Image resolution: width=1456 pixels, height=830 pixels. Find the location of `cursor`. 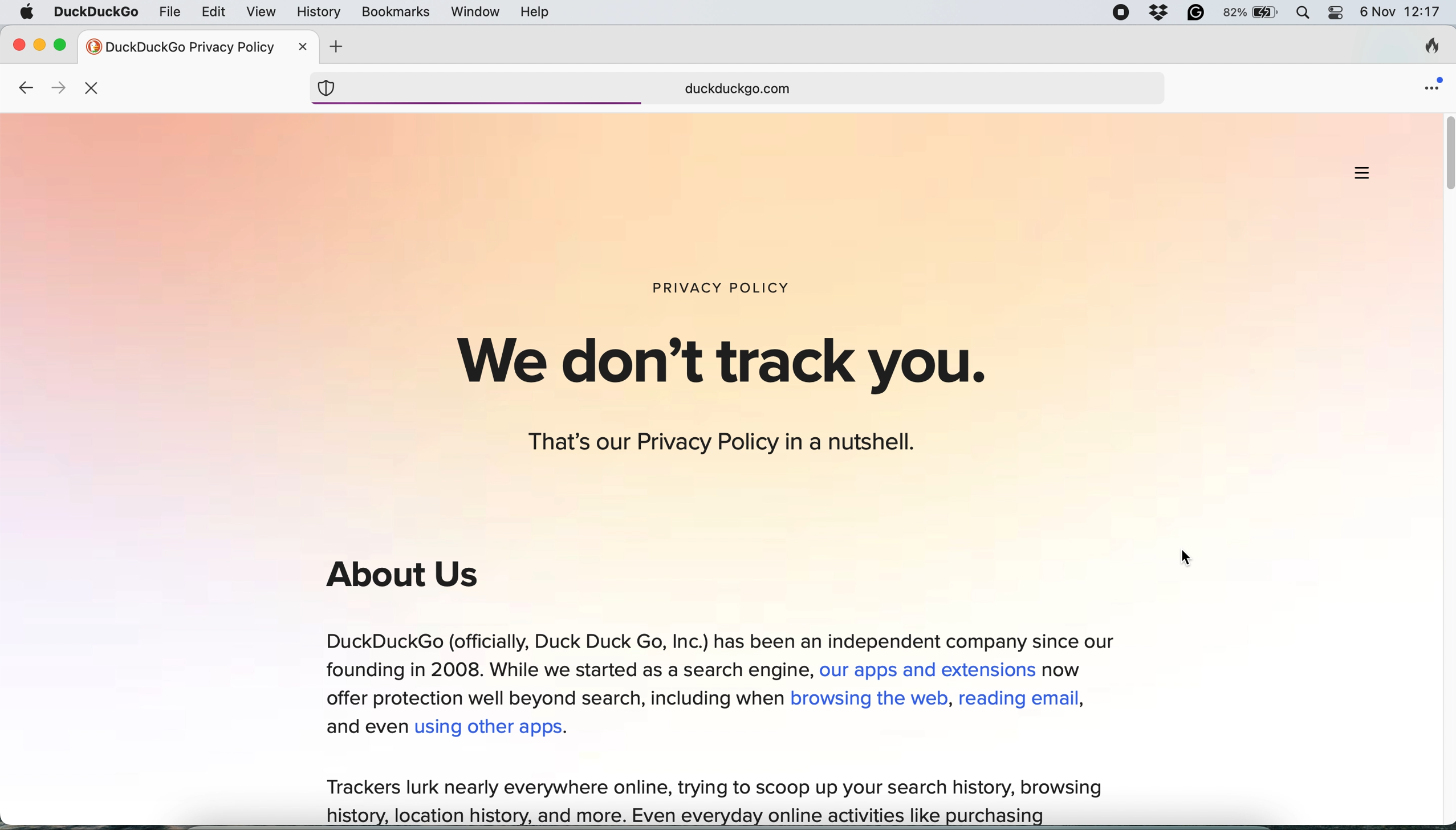

cursor is located at coordinates (1184, 562).